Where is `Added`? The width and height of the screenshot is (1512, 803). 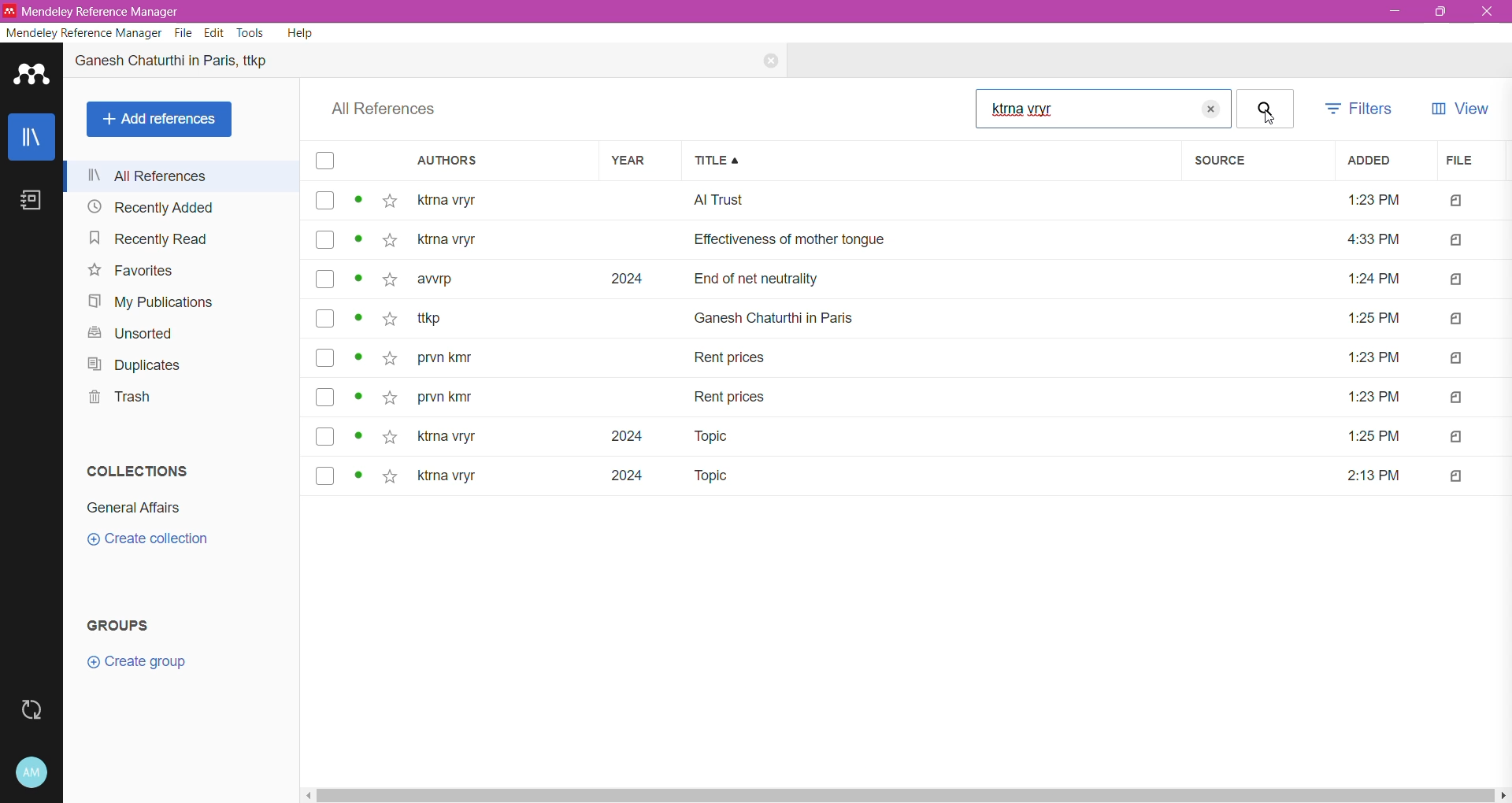
Added is located at coordinates (1381, 161).